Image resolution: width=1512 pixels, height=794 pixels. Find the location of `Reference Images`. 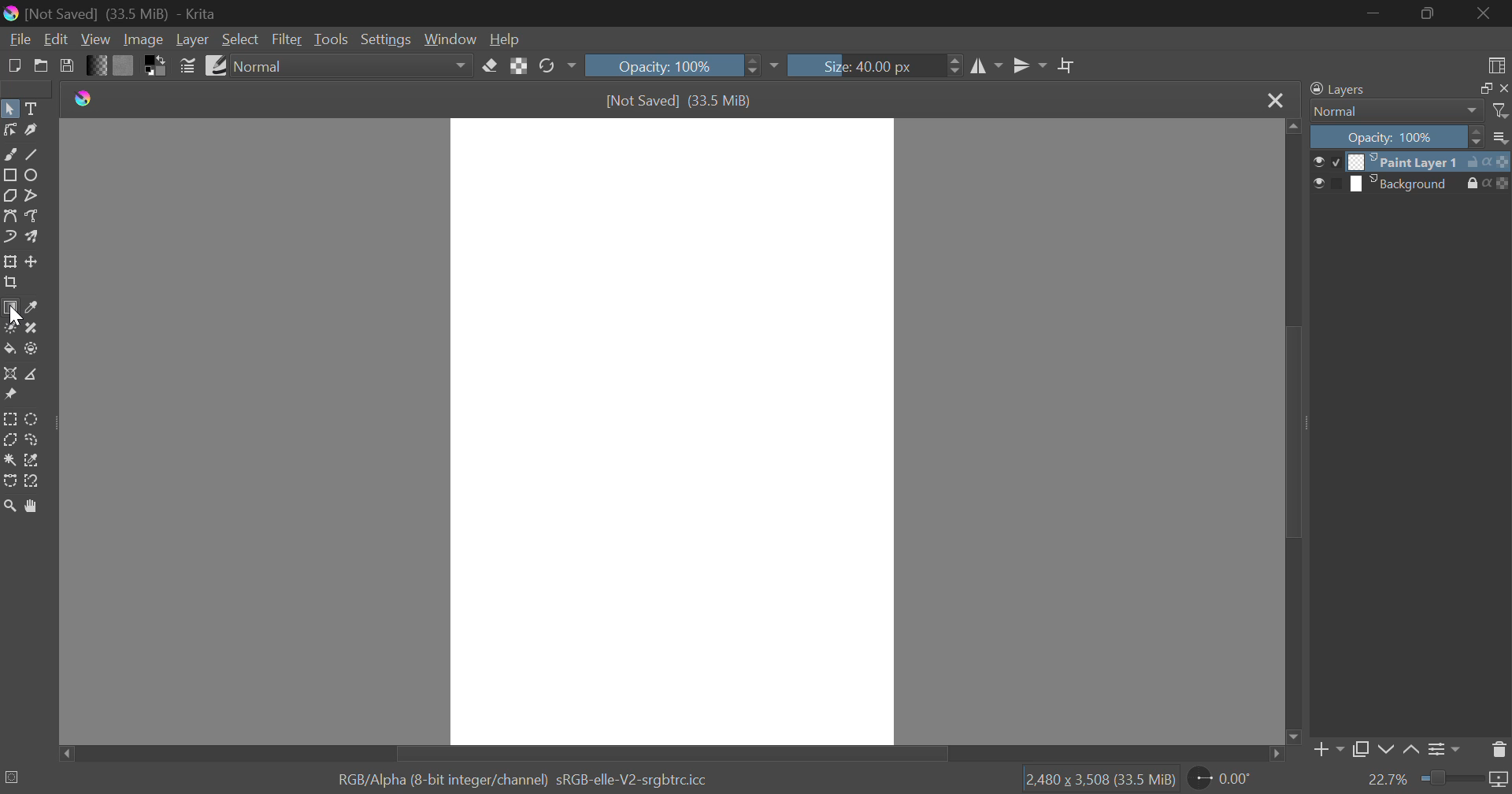

Reference Images is located at coordinates (9, 397).